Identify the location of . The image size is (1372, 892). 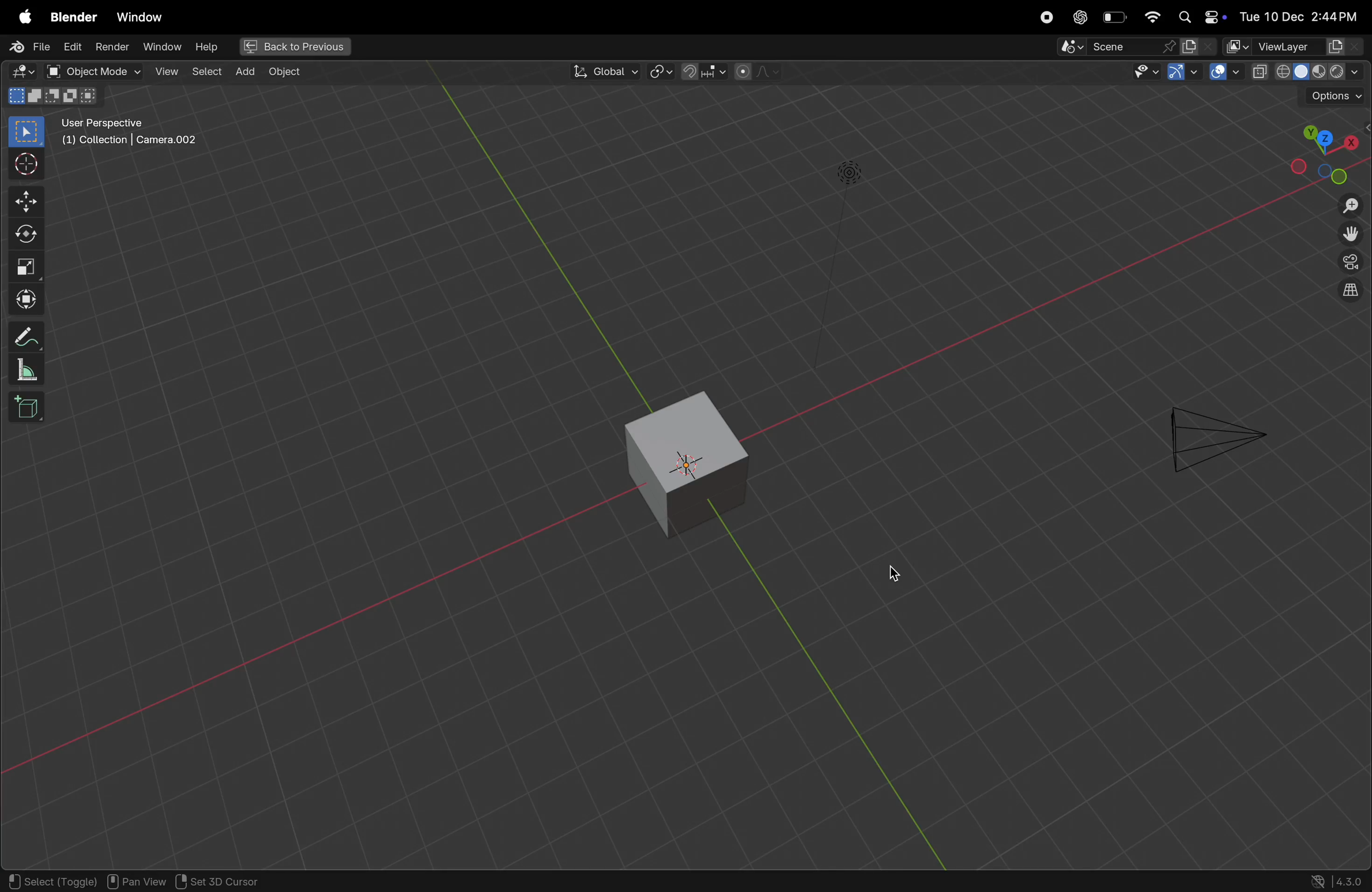
(1225, 72).